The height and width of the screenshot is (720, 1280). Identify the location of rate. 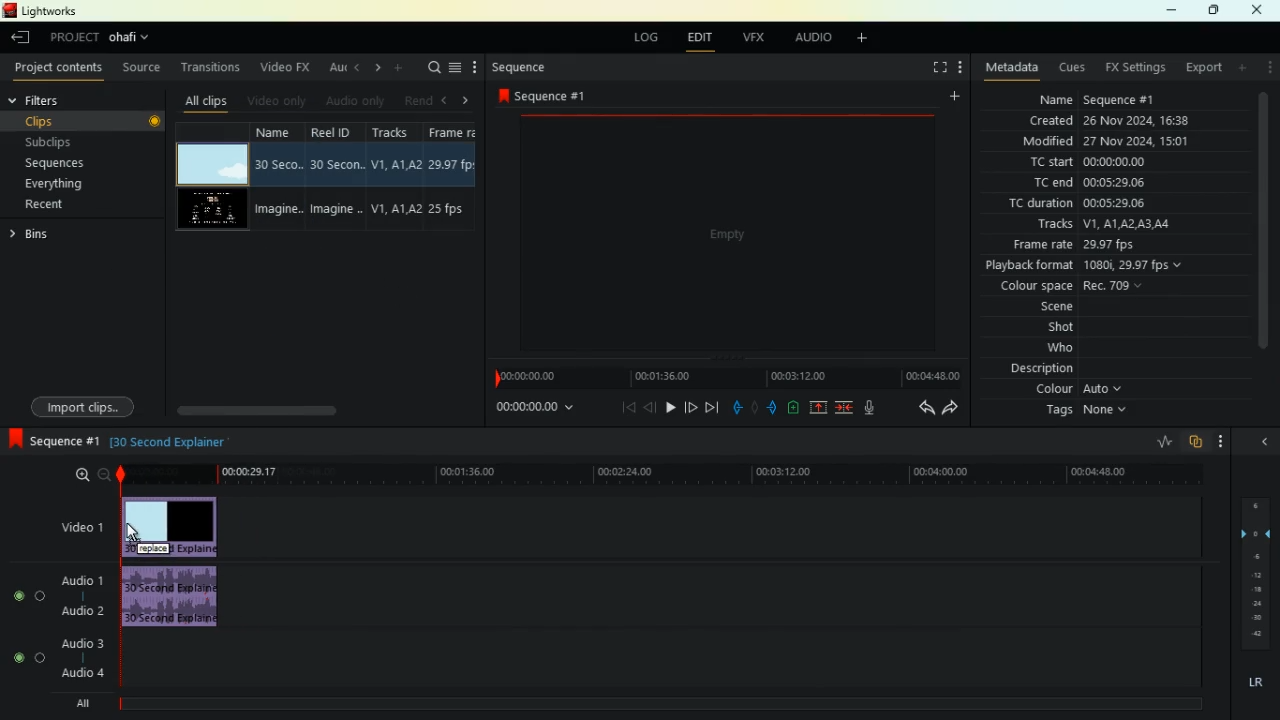
(1162, 440).